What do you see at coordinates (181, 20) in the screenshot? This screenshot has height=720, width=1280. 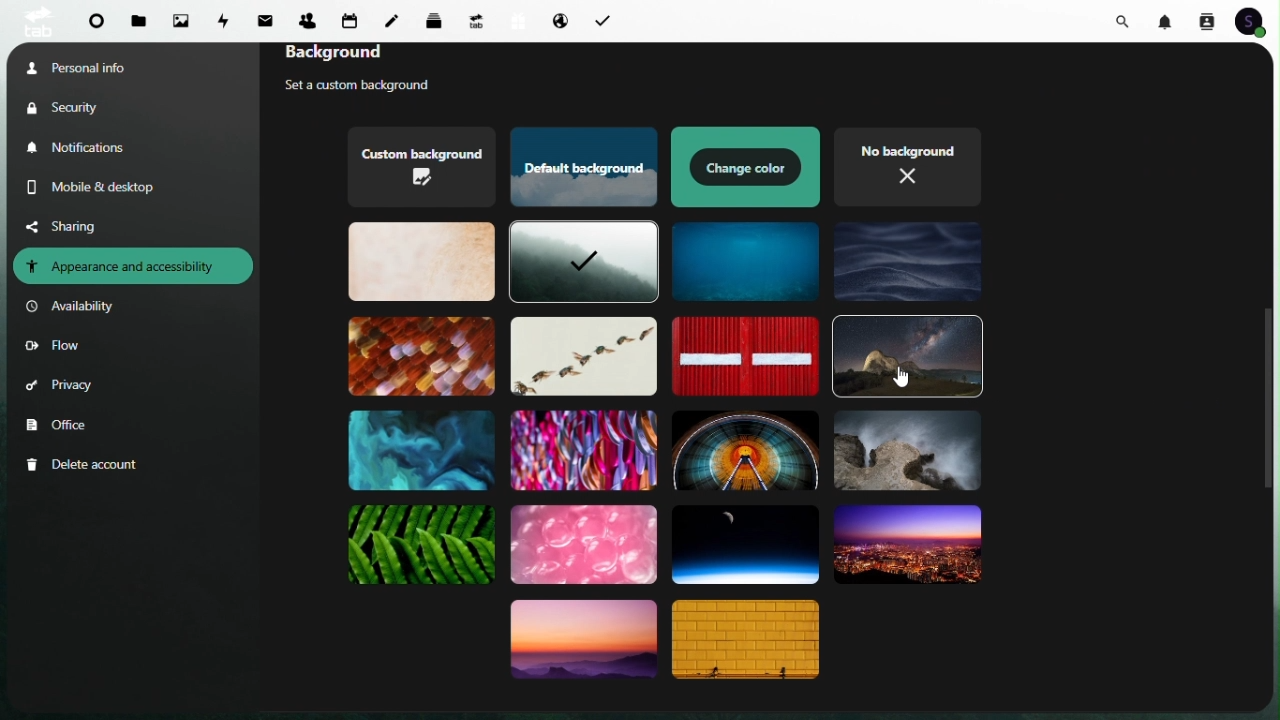 I see `Photos` at bounding box center [181, 20].